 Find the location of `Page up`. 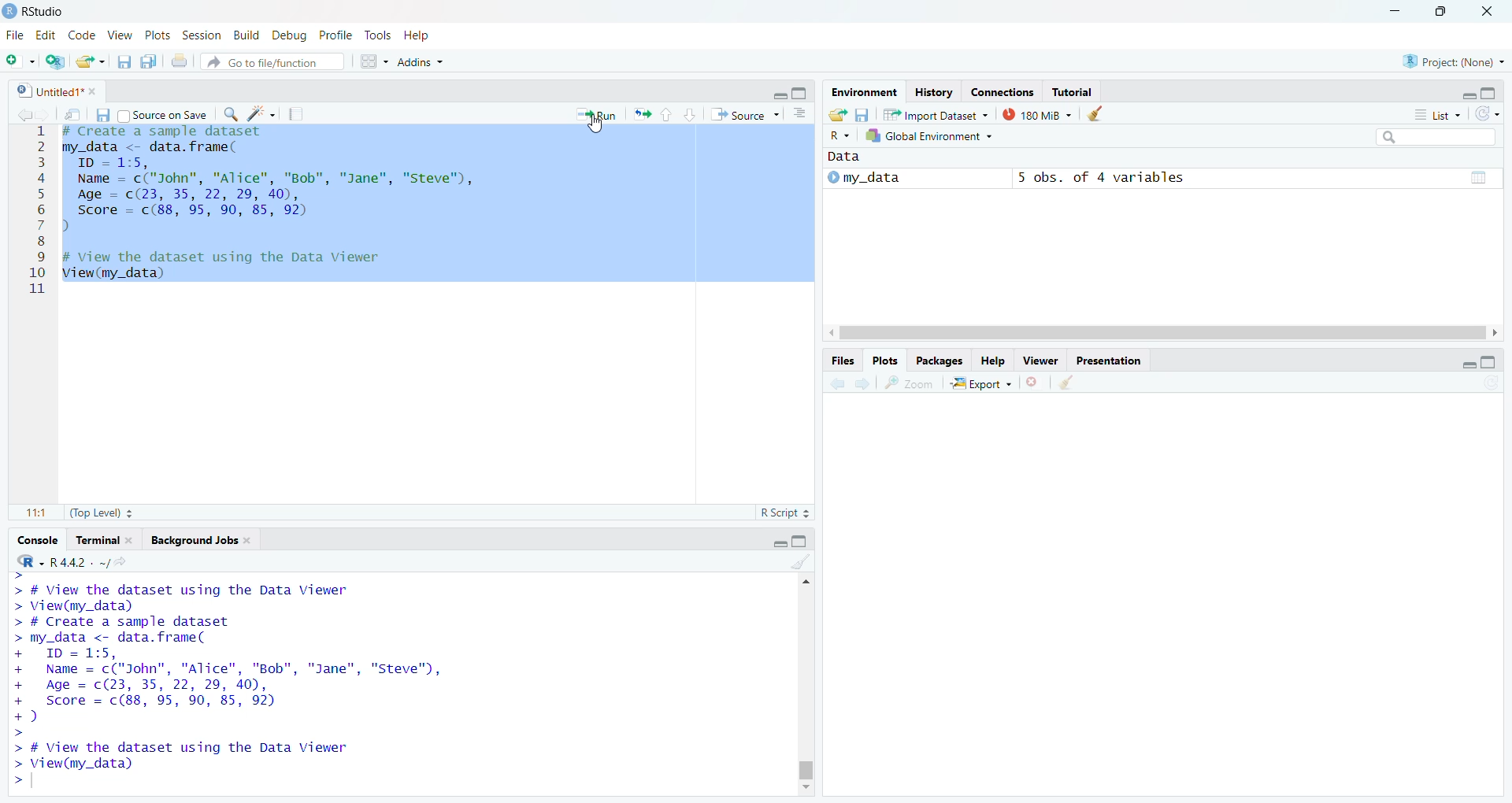

Page up is located at coordinates (667, 115).